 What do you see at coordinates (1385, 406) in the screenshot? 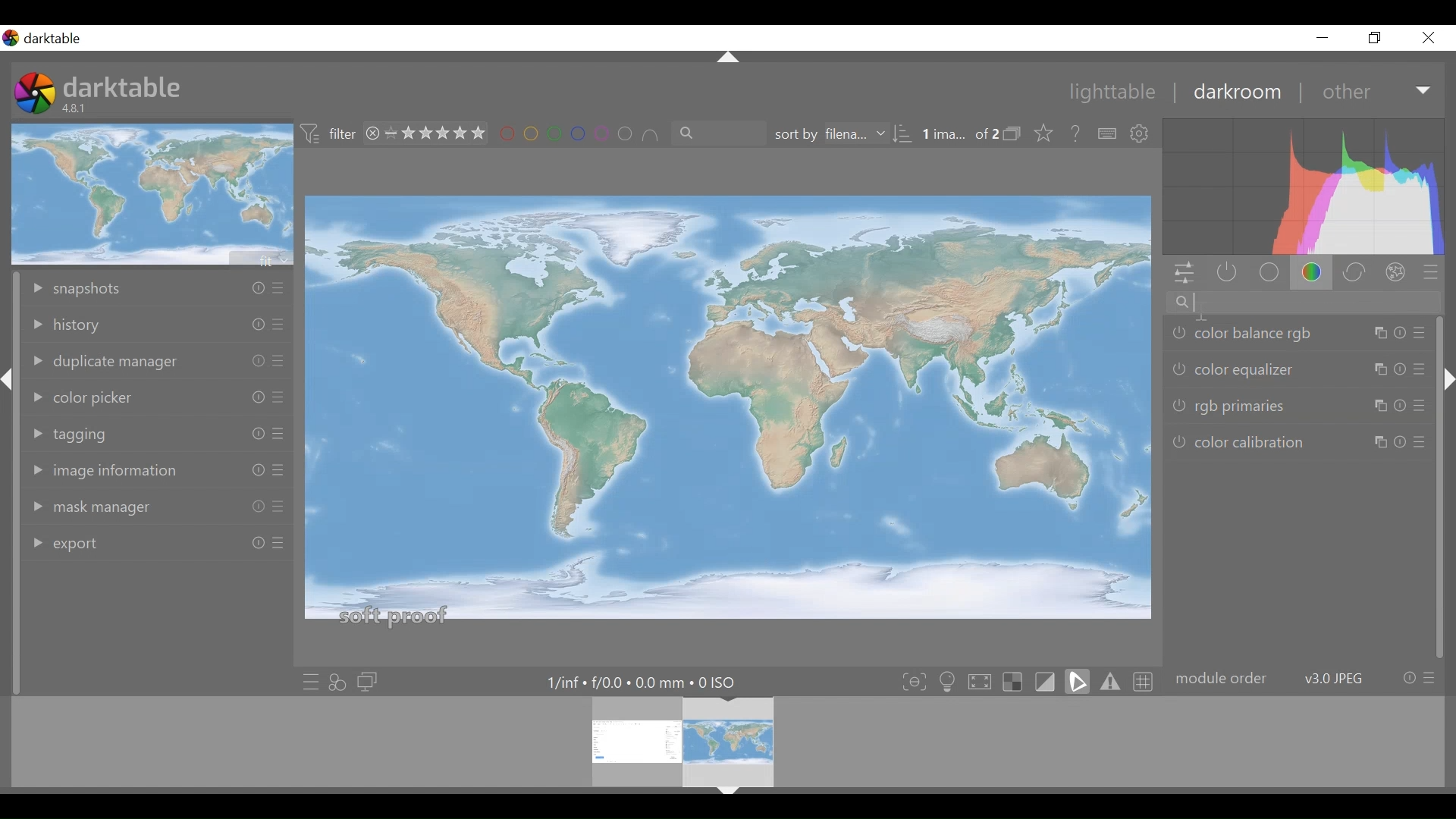
I see `` at bounding box center [1385, 406].